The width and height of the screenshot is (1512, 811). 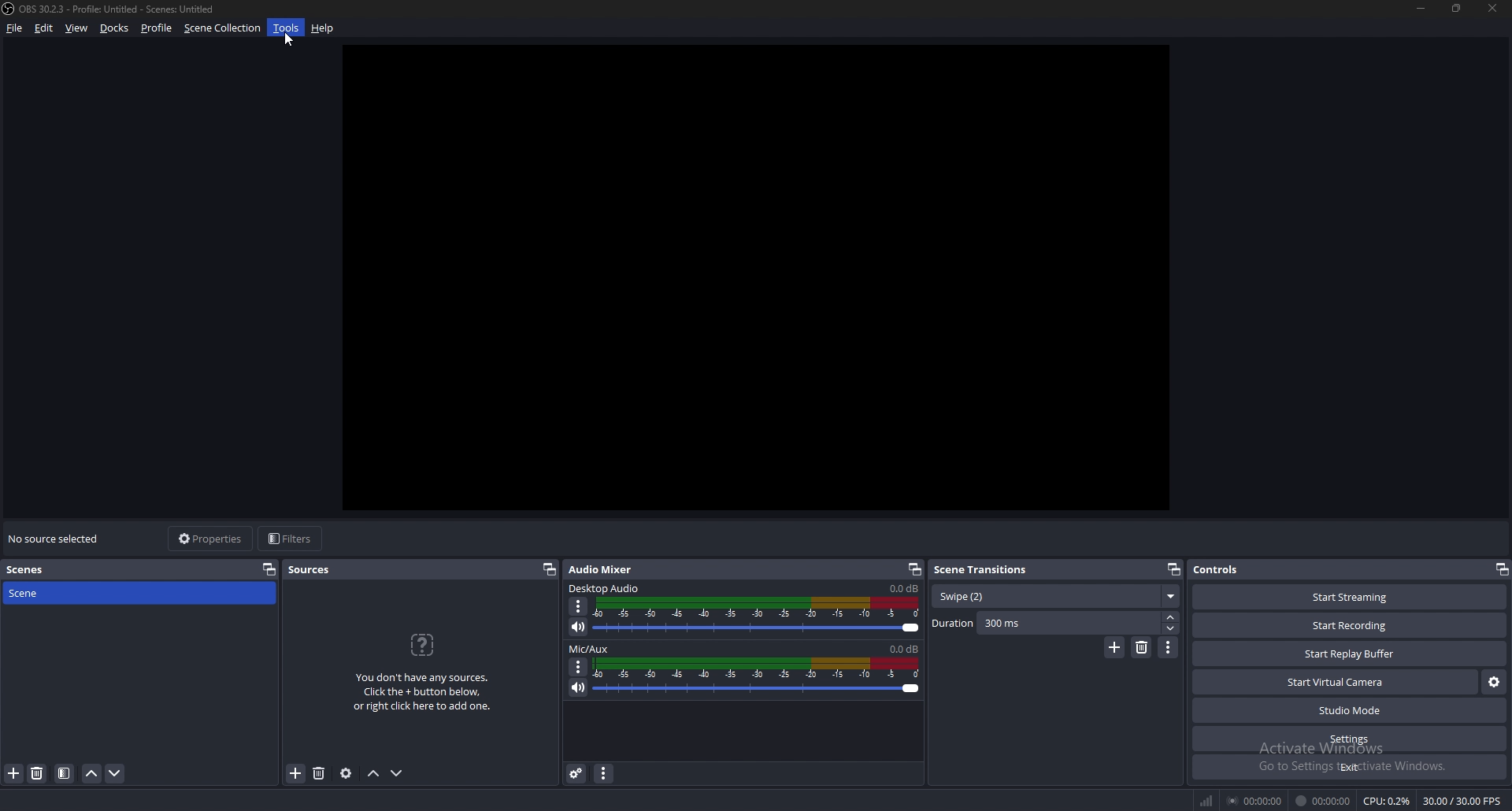 I want to click on network, so click(x=1206, y=802).